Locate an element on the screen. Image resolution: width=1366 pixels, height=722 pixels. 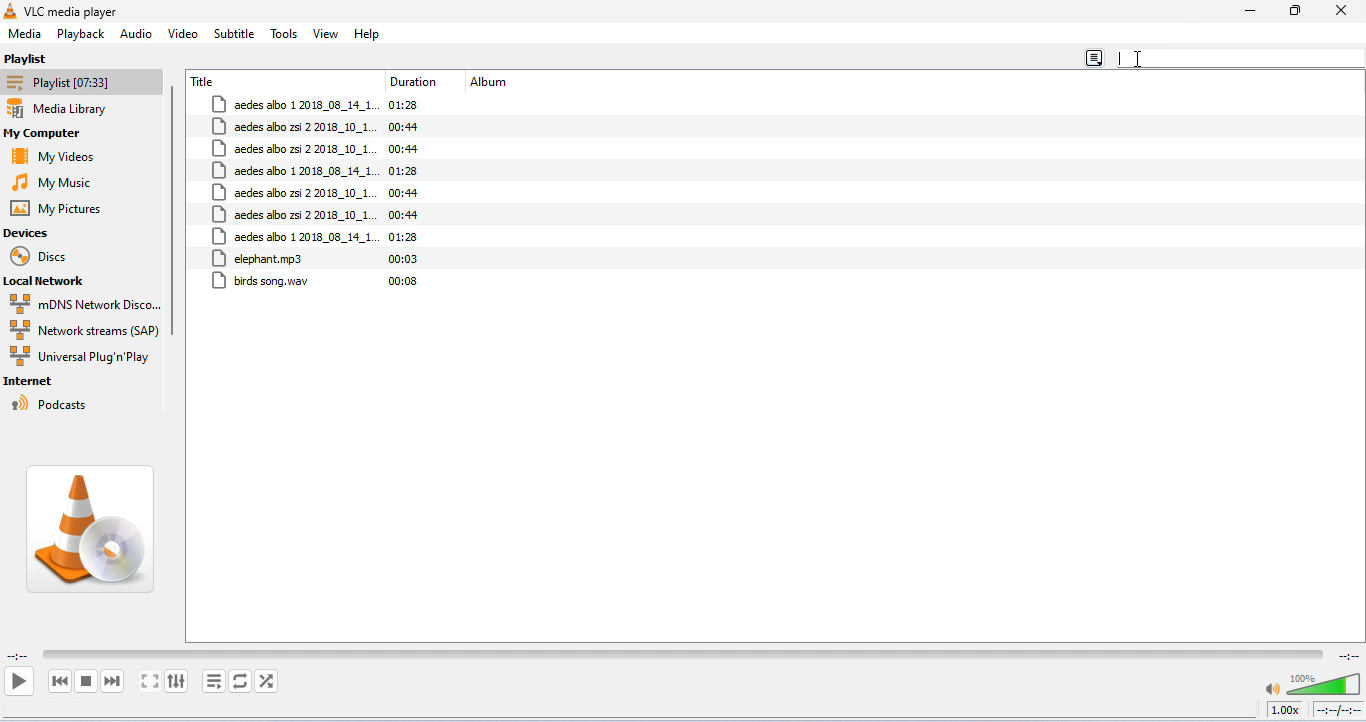
00:44 is located at coordinates (405, 192).